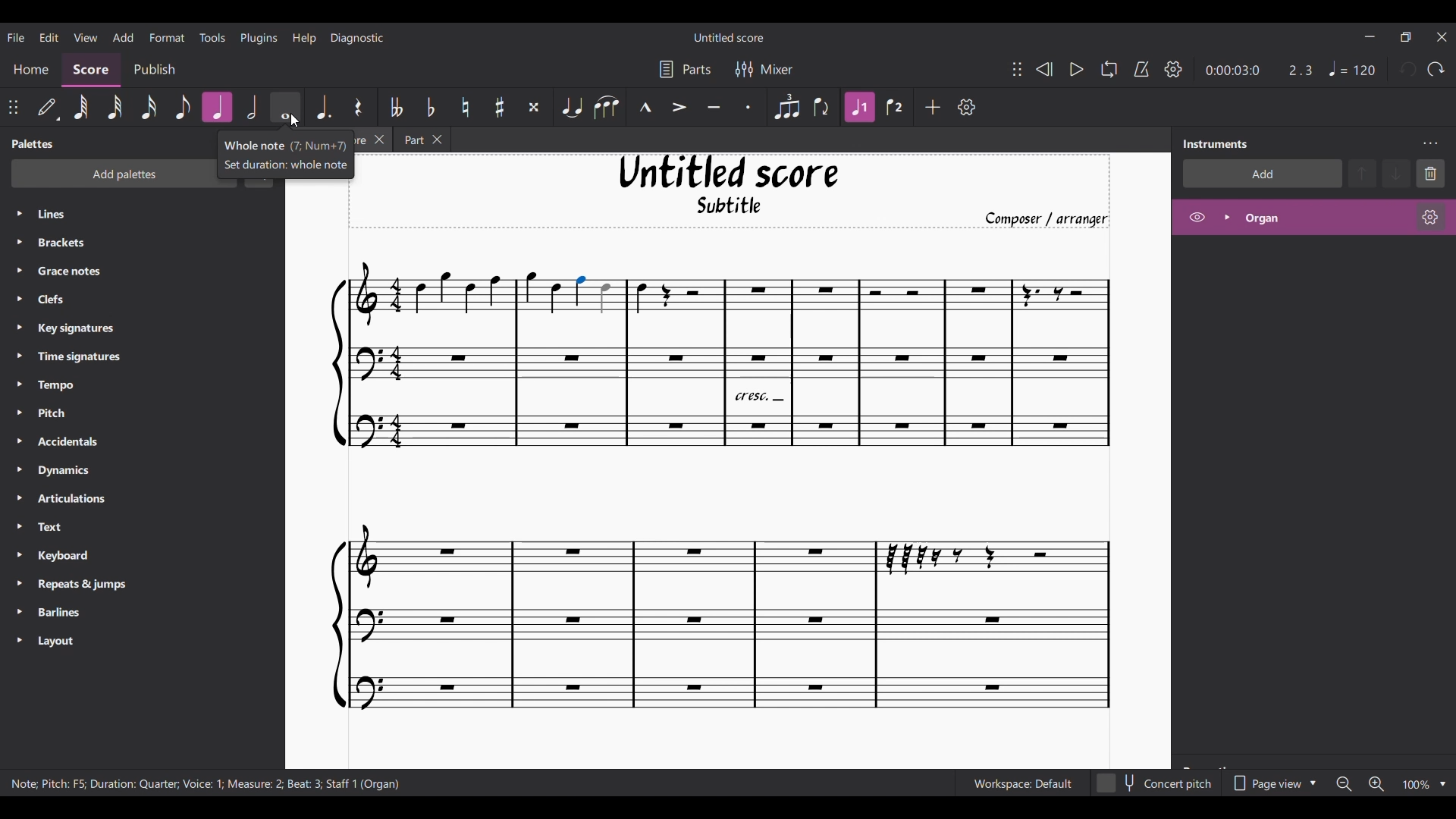  I want to click on Zoom out, so click(1344, 784).